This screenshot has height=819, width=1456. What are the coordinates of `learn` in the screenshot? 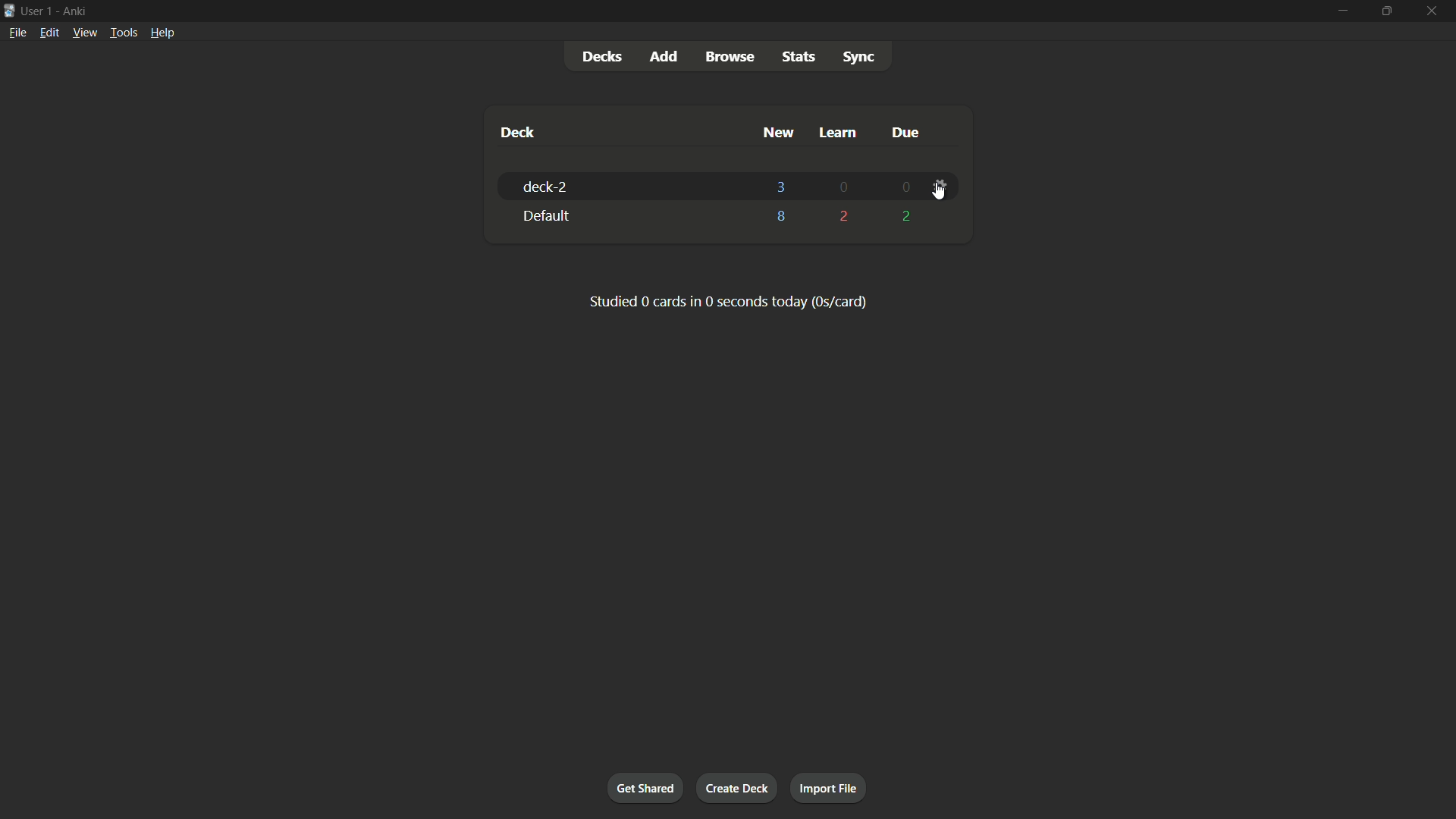 It's located at (836, 133).